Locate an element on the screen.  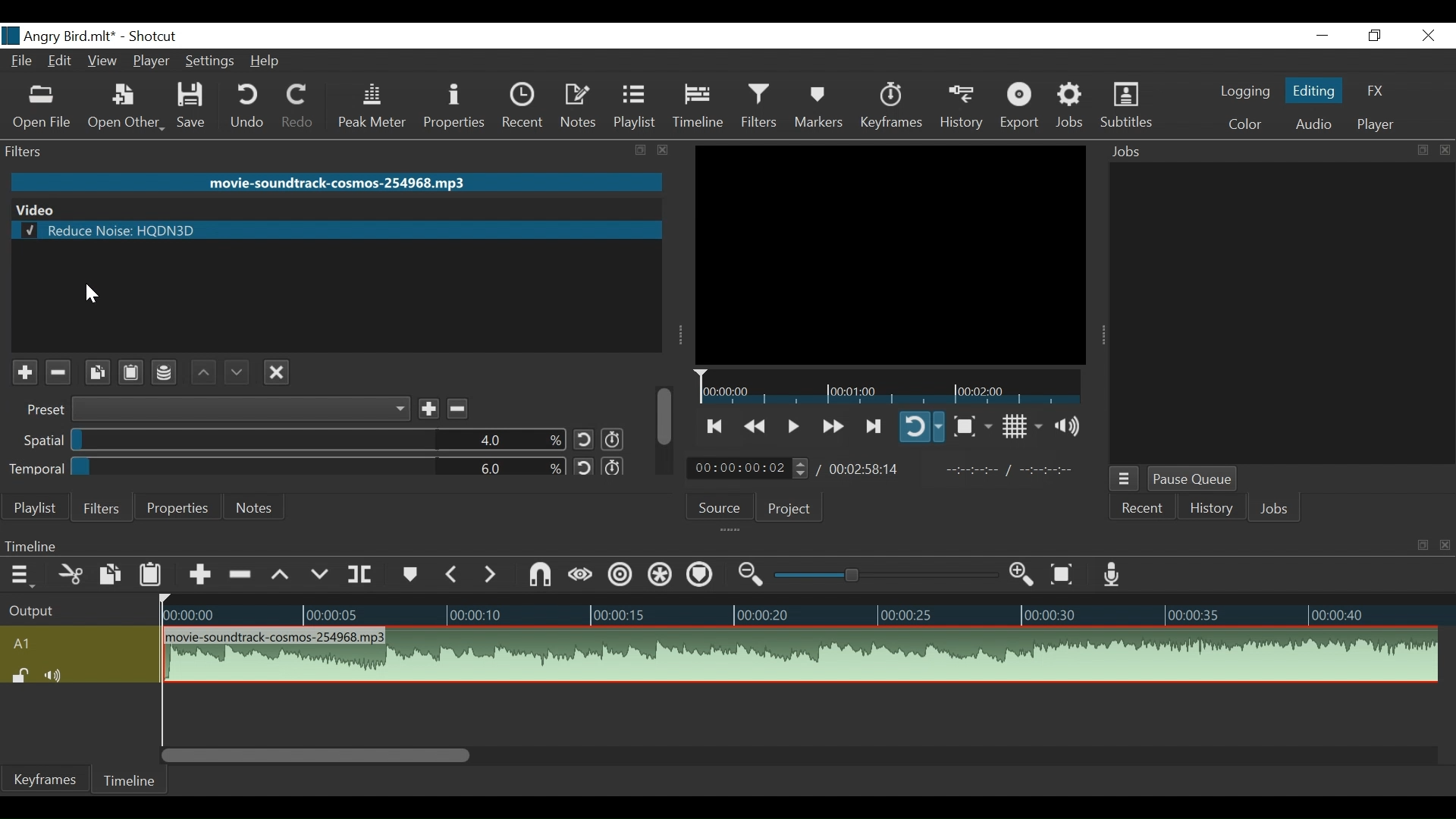
Vertical Scroll bar is located at coordinates (316, 755).